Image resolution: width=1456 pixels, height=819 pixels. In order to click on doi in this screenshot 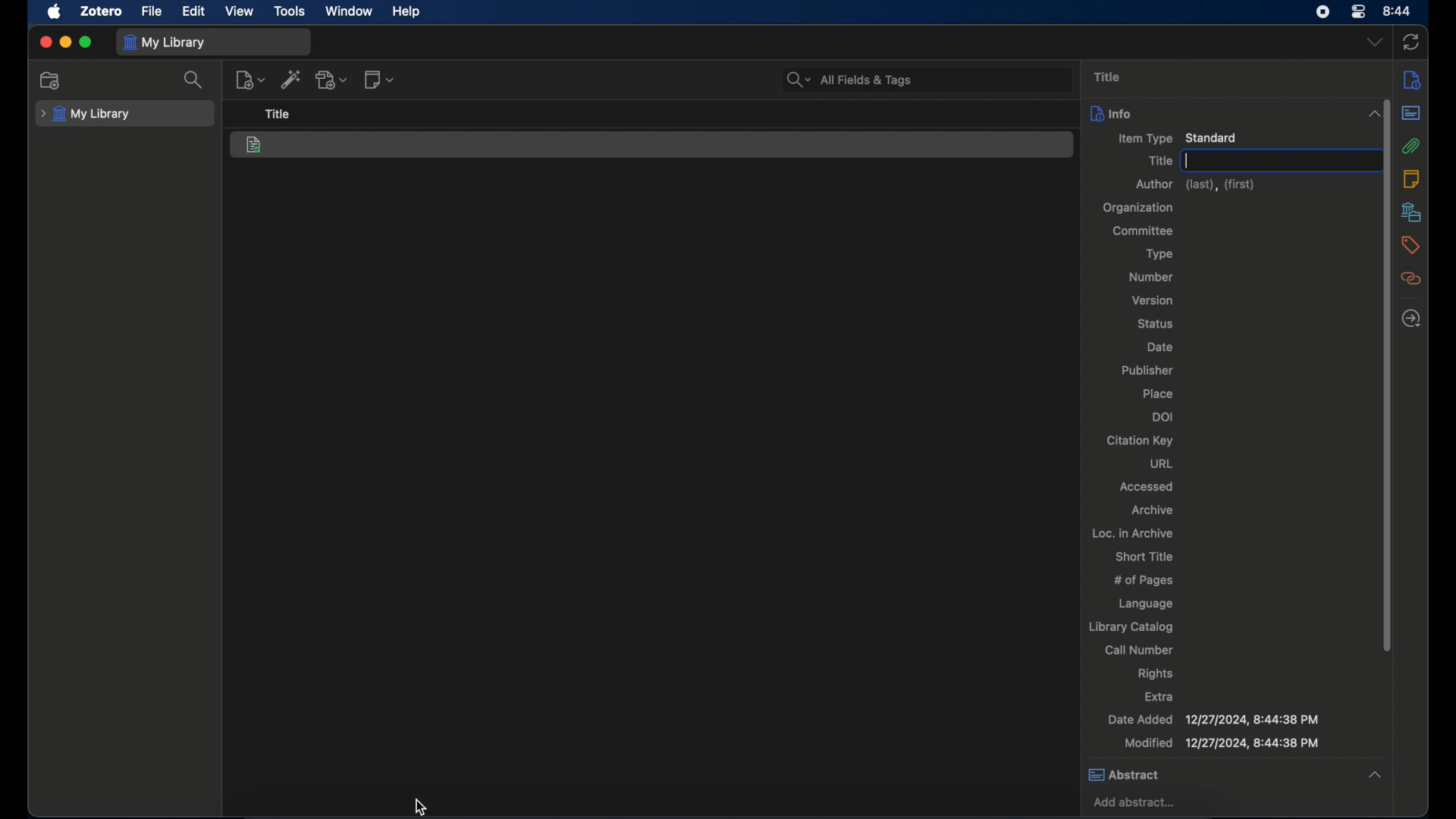, I will do `click(1164, 416)`.